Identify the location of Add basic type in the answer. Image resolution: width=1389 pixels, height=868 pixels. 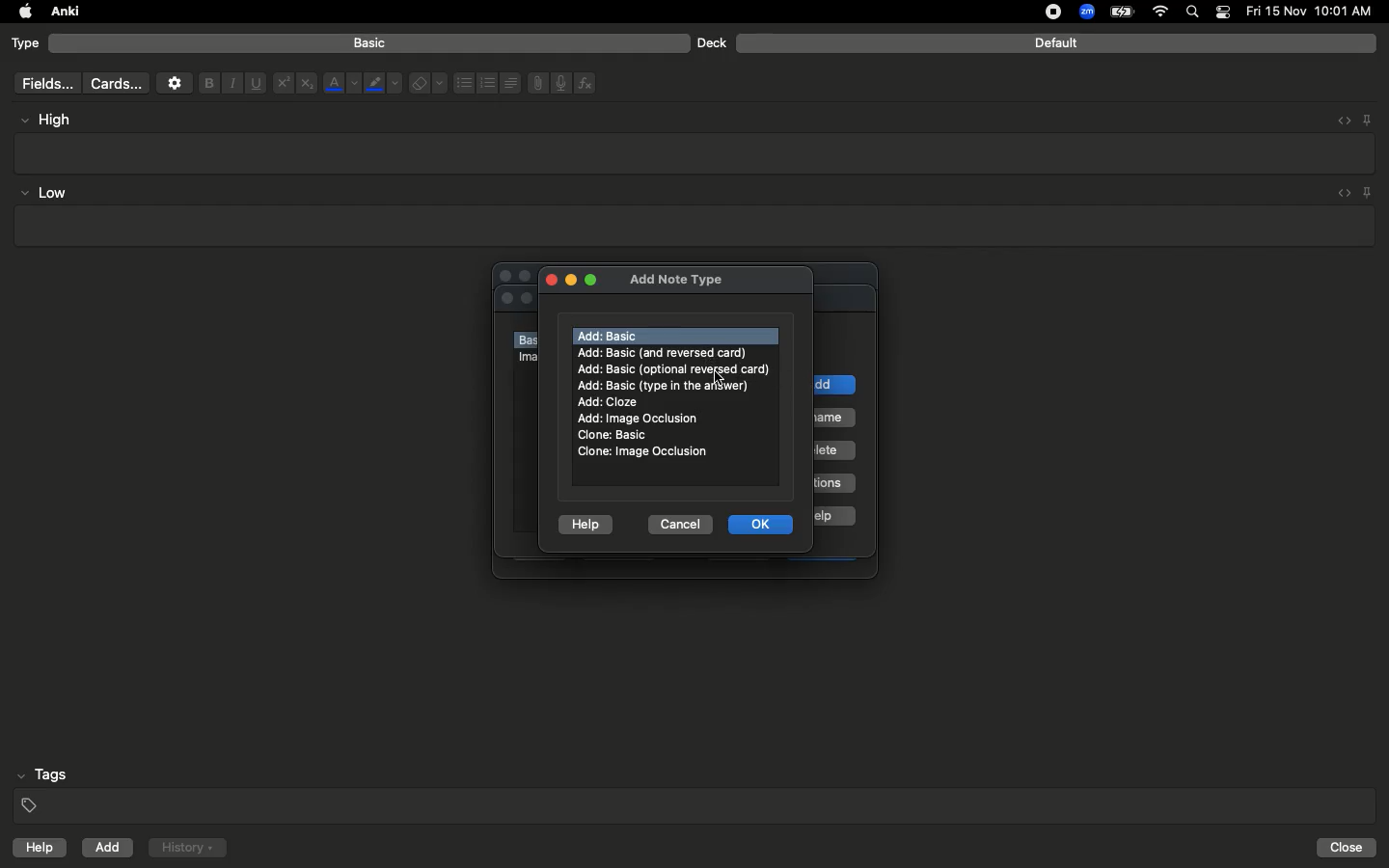
(666, 385).